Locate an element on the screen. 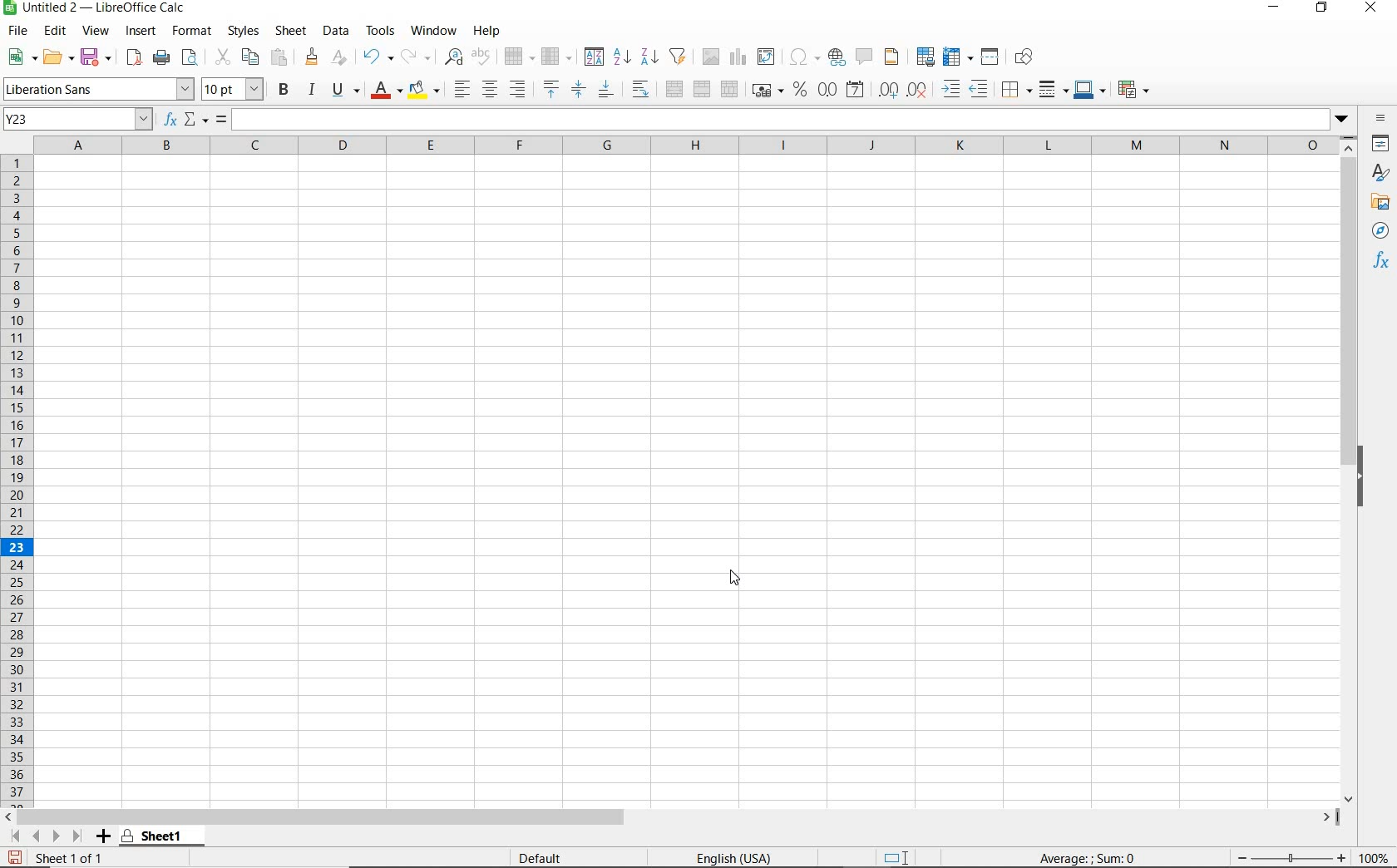 The image size is (1397, 868). ITALIC is located at coordinates (313, 91).